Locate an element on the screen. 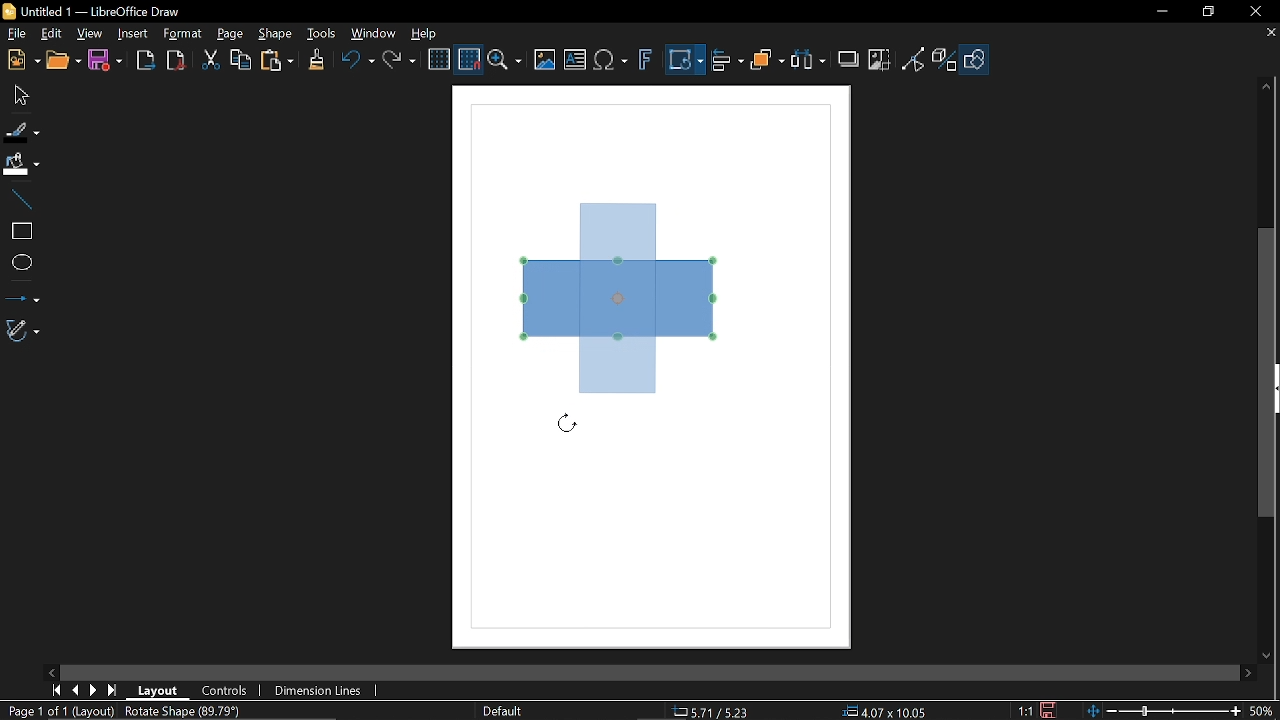 The width and height of the screenshot is (1280, 720). Toggle extrusion is located at coordinates (946, 61).